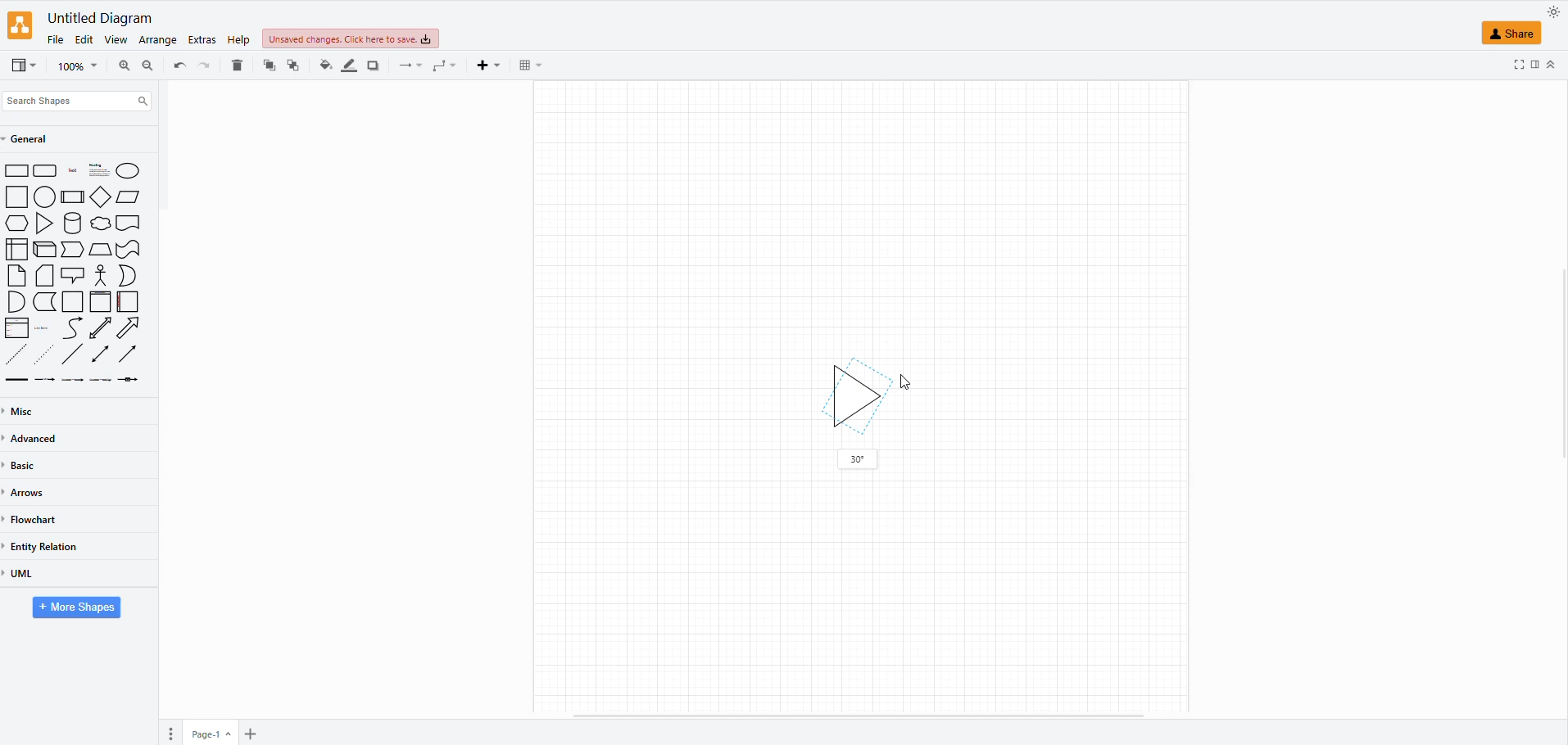  Describe the element at coordinates (72, 328) in the screenshot. I see `Curved Arrow` at that location.